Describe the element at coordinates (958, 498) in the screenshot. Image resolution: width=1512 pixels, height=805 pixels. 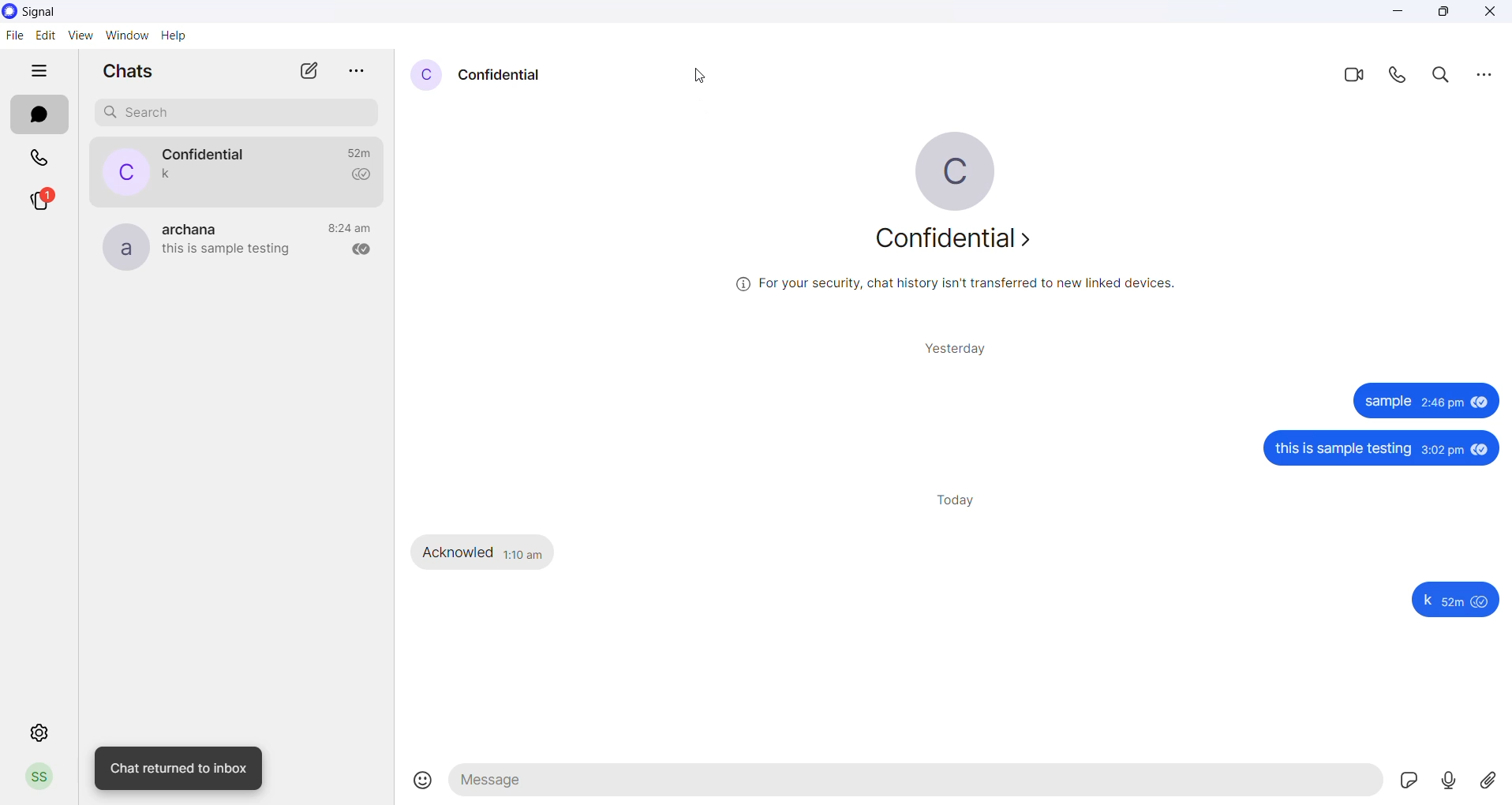
I see `today messages heading` at that location.